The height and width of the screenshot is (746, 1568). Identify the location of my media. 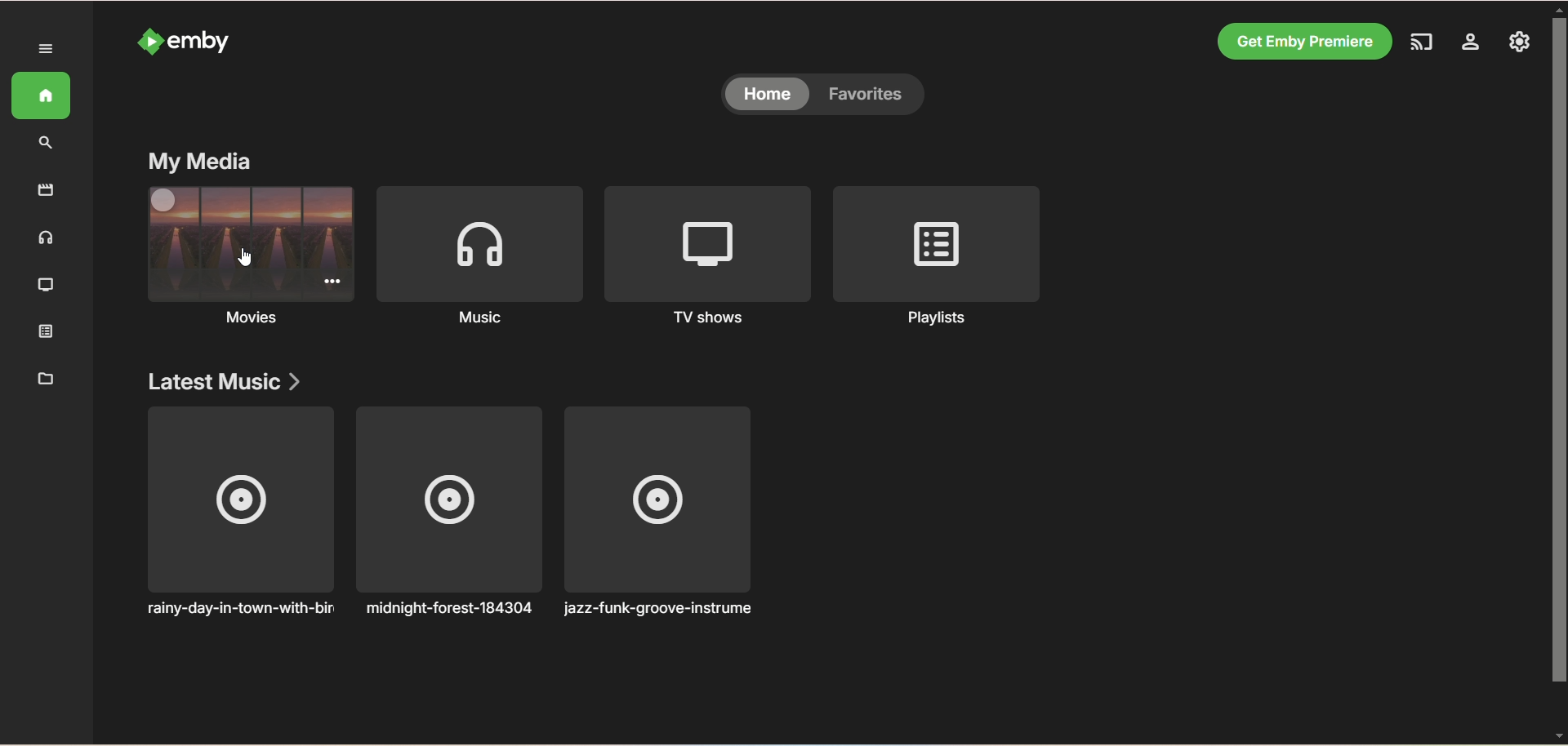
(200, 163).